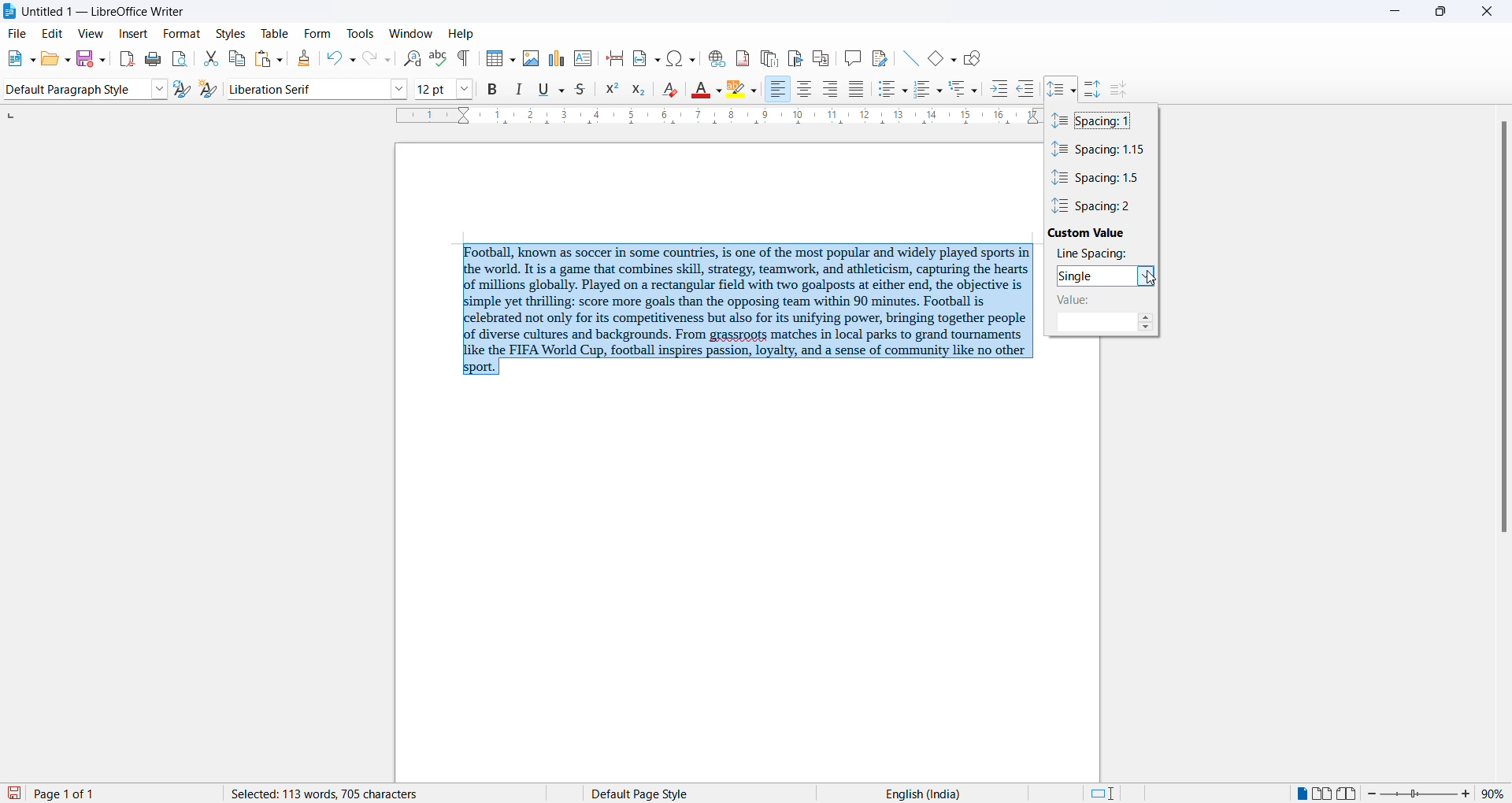  I want to click on spacing value, so click(1083, 301).